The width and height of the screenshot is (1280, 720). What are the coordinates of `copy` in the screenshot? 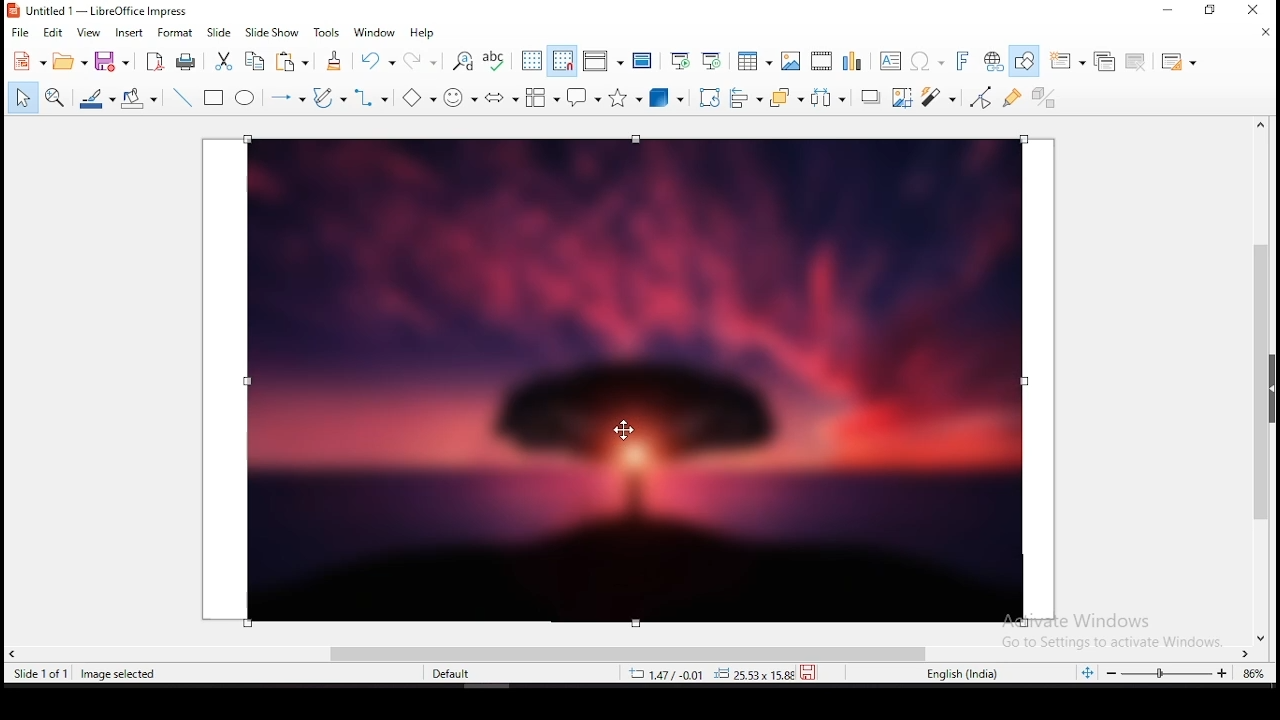 It's located at (289, 61).